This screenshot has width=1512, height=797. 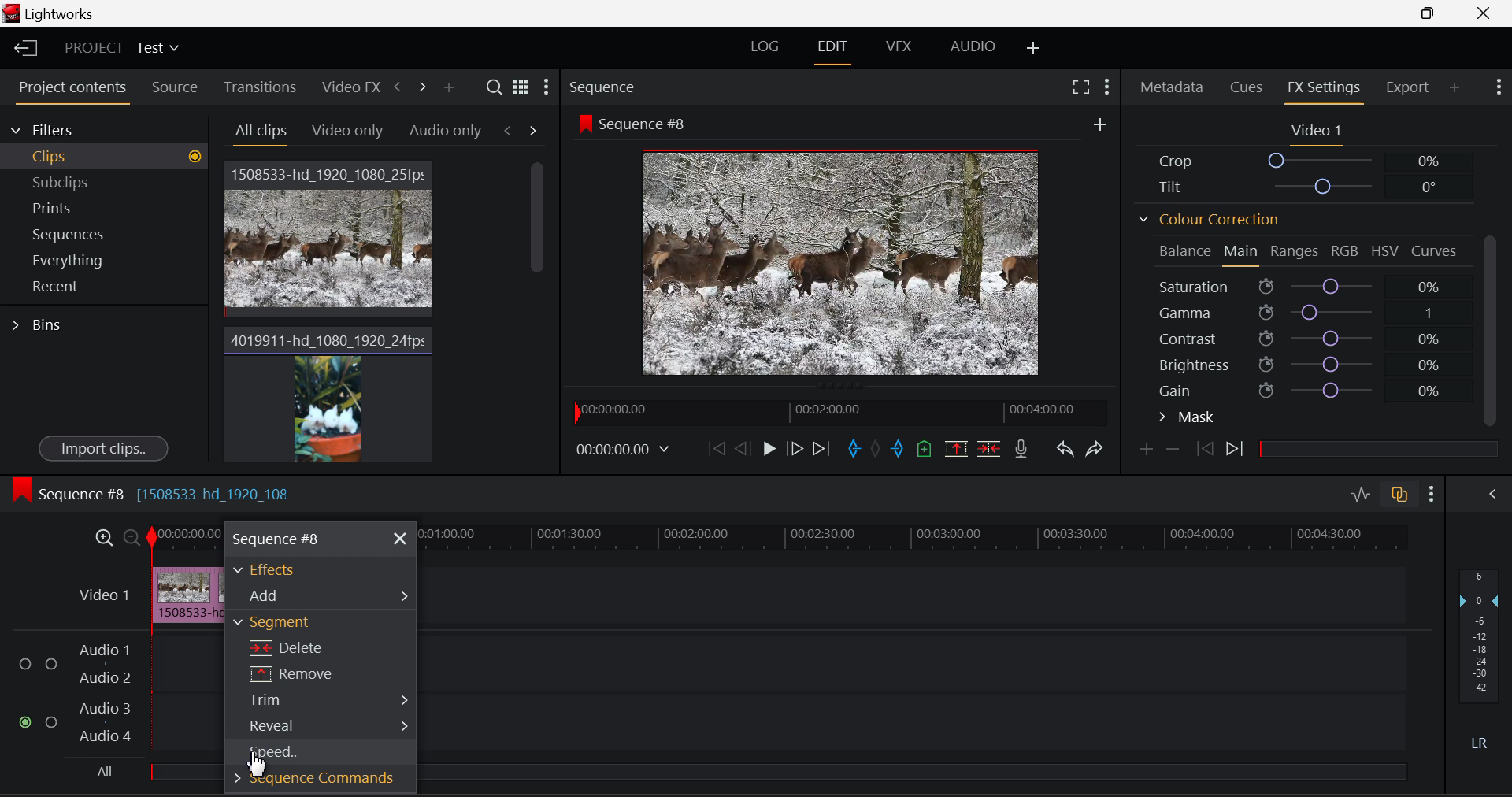 I want to click on Balance, so click(x=1181, y=252).